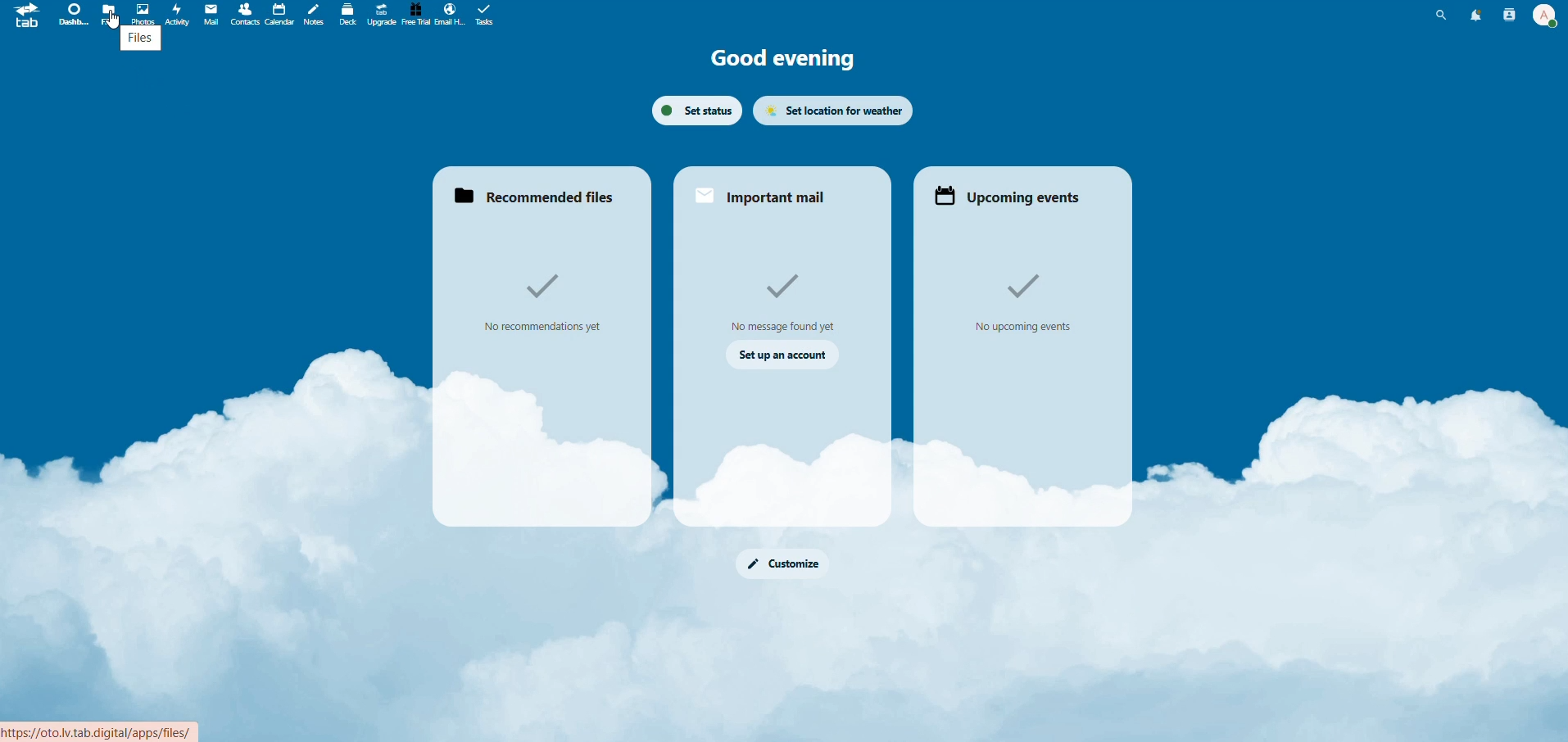  Describe the element at coordinates (70, 16) in the screenshot. I see `dashboard` at that location.